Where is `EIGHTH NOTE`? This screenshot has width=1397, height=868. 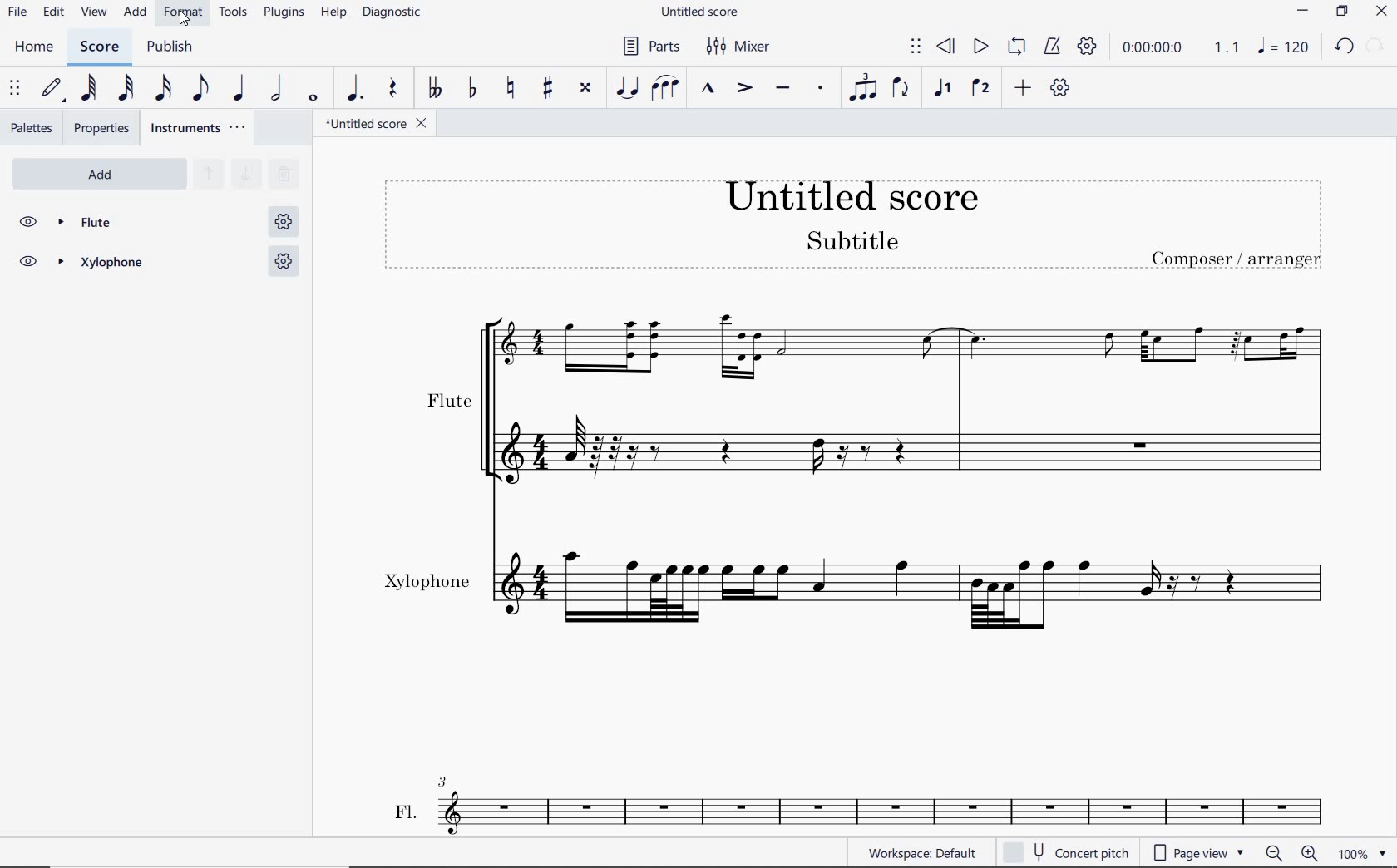
EIGHTH NOTE is located at coordinates (200, 87).